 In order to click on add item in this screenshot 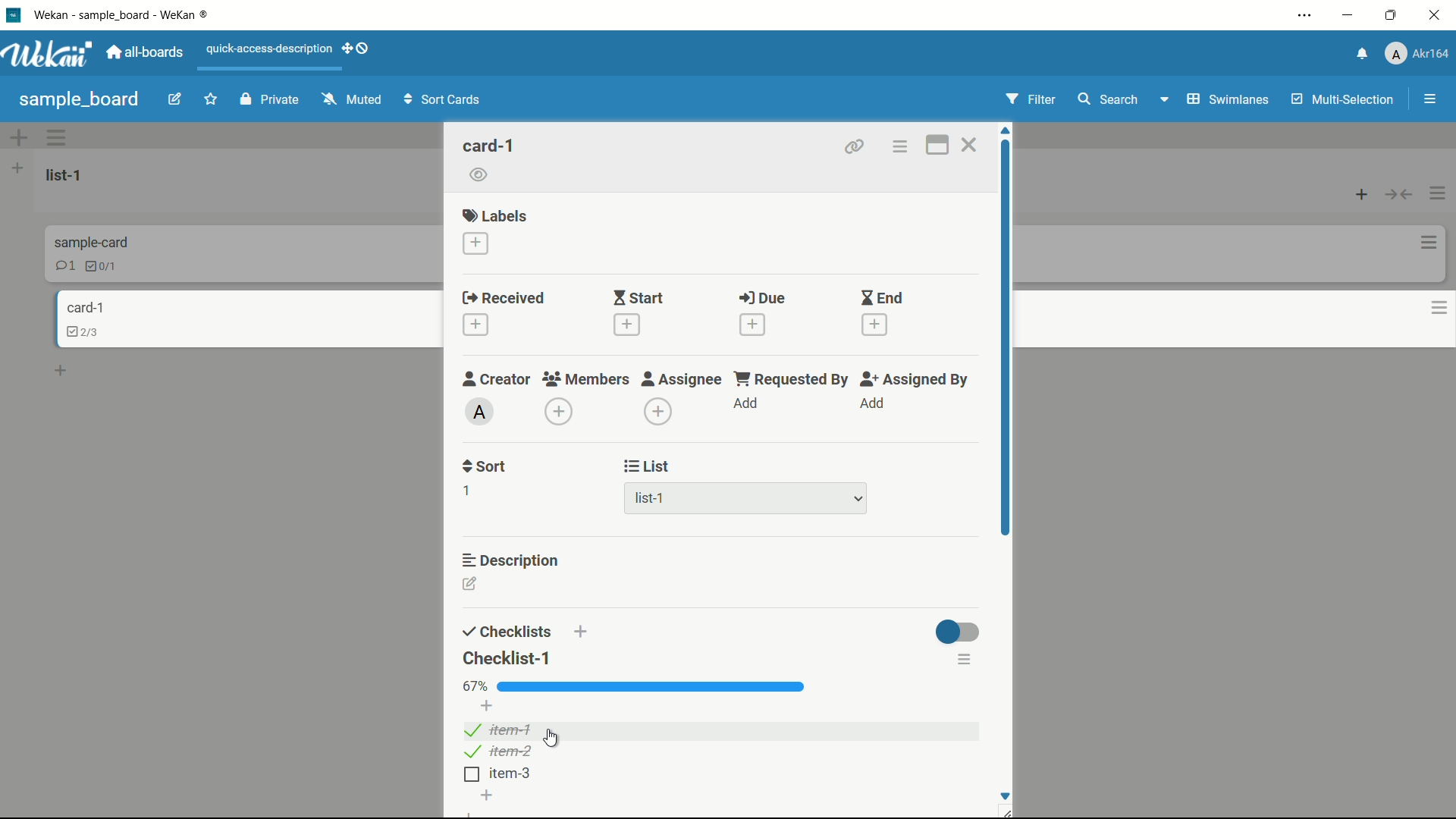, I will do `click(488, 705)`.